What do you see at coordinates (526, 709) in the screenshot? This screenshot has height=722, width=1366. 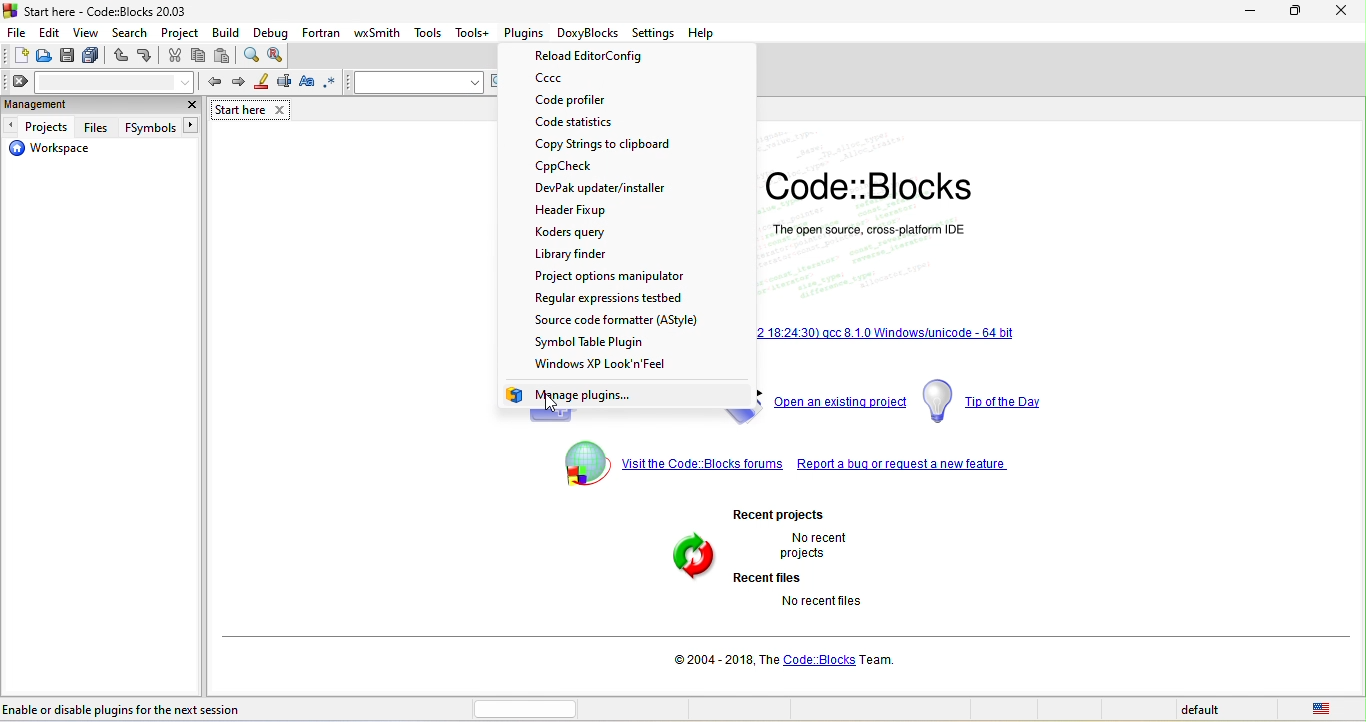 I see `horizontal scroll bar` at bounding box center [526, 709].